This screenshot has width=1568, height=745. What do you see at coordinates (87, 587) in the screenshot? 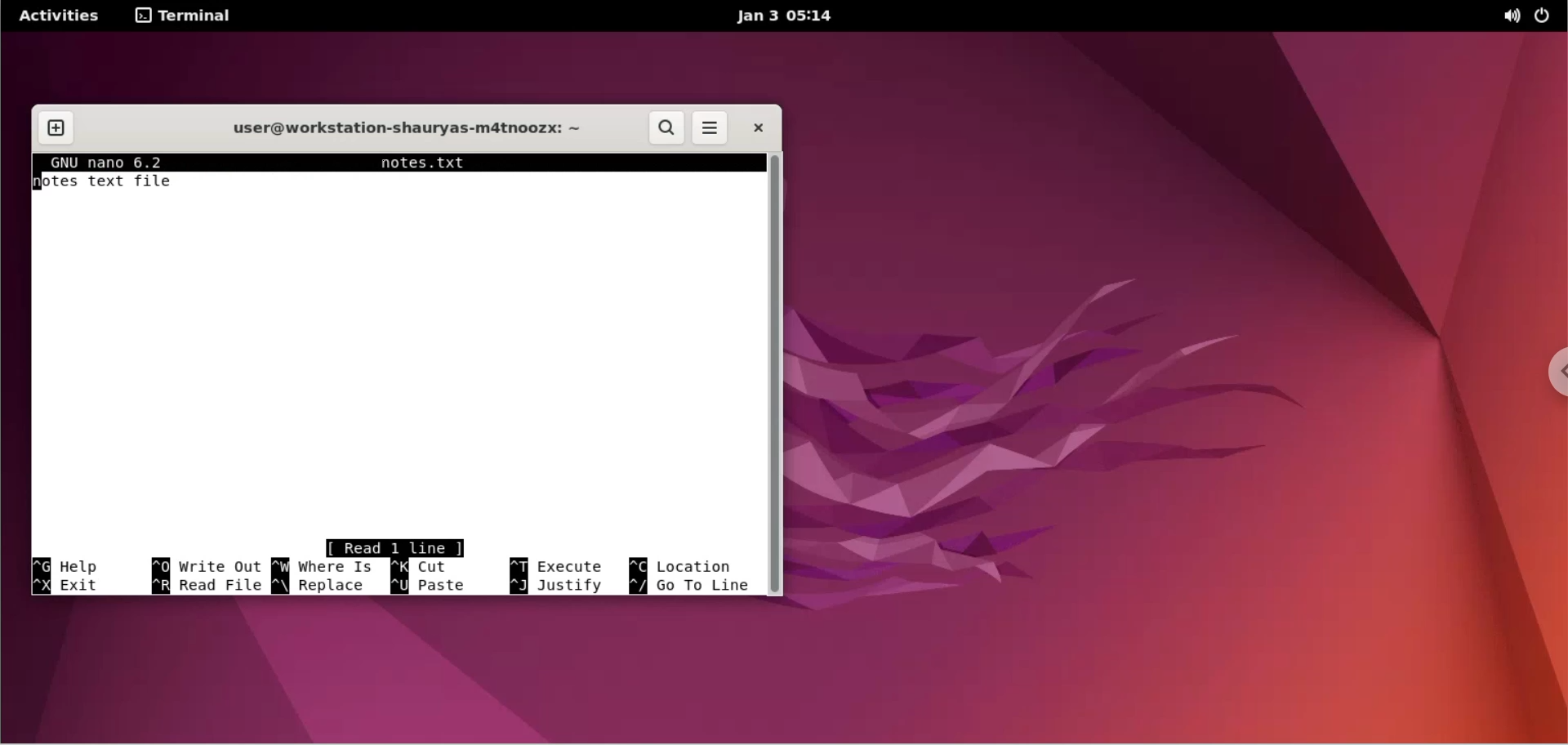
I see `^X exit` at bounding box center [87, 587].